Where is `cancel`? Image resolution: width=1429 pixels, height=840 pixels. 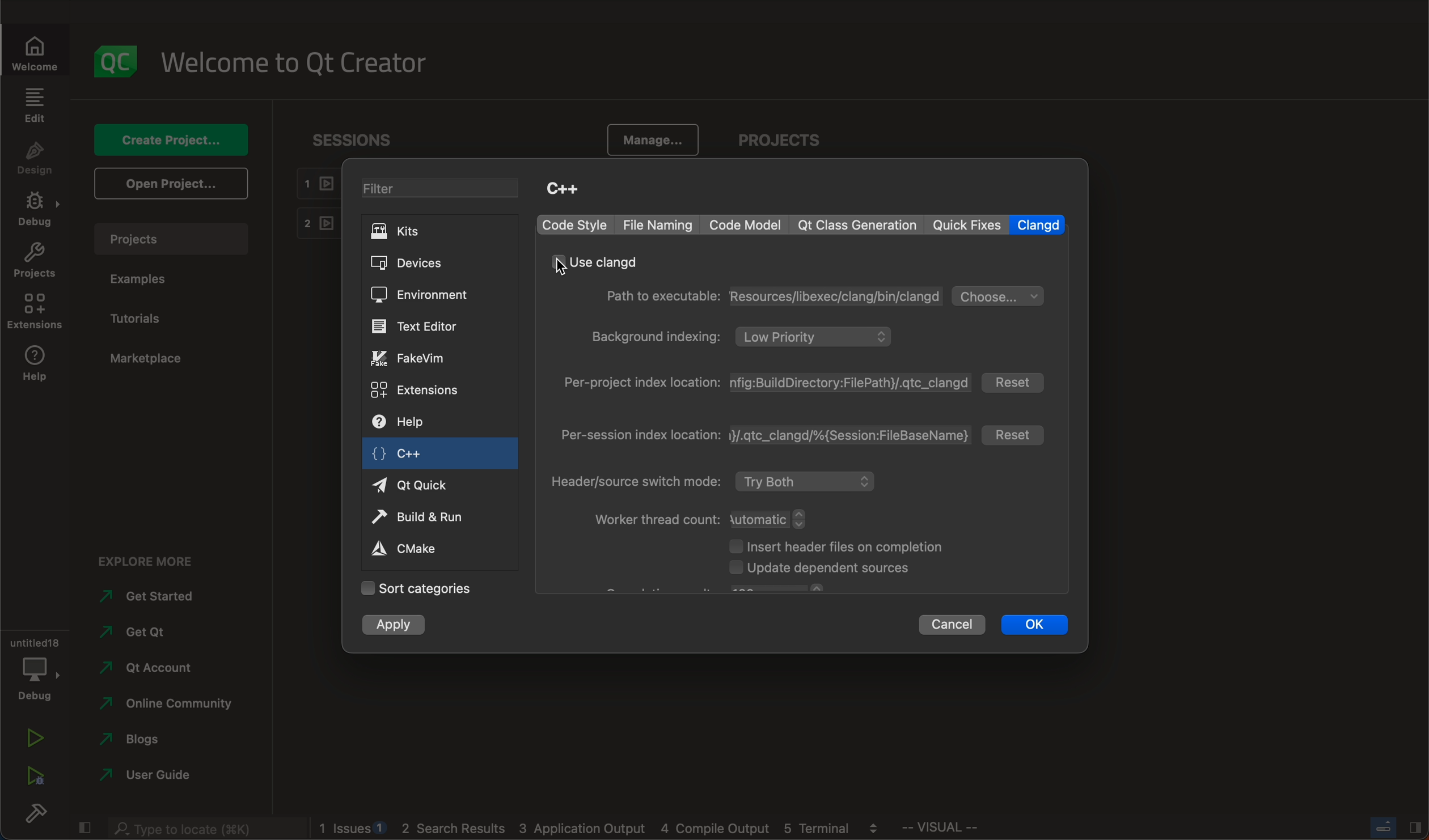
cancel is located at coordinates (954, 627).